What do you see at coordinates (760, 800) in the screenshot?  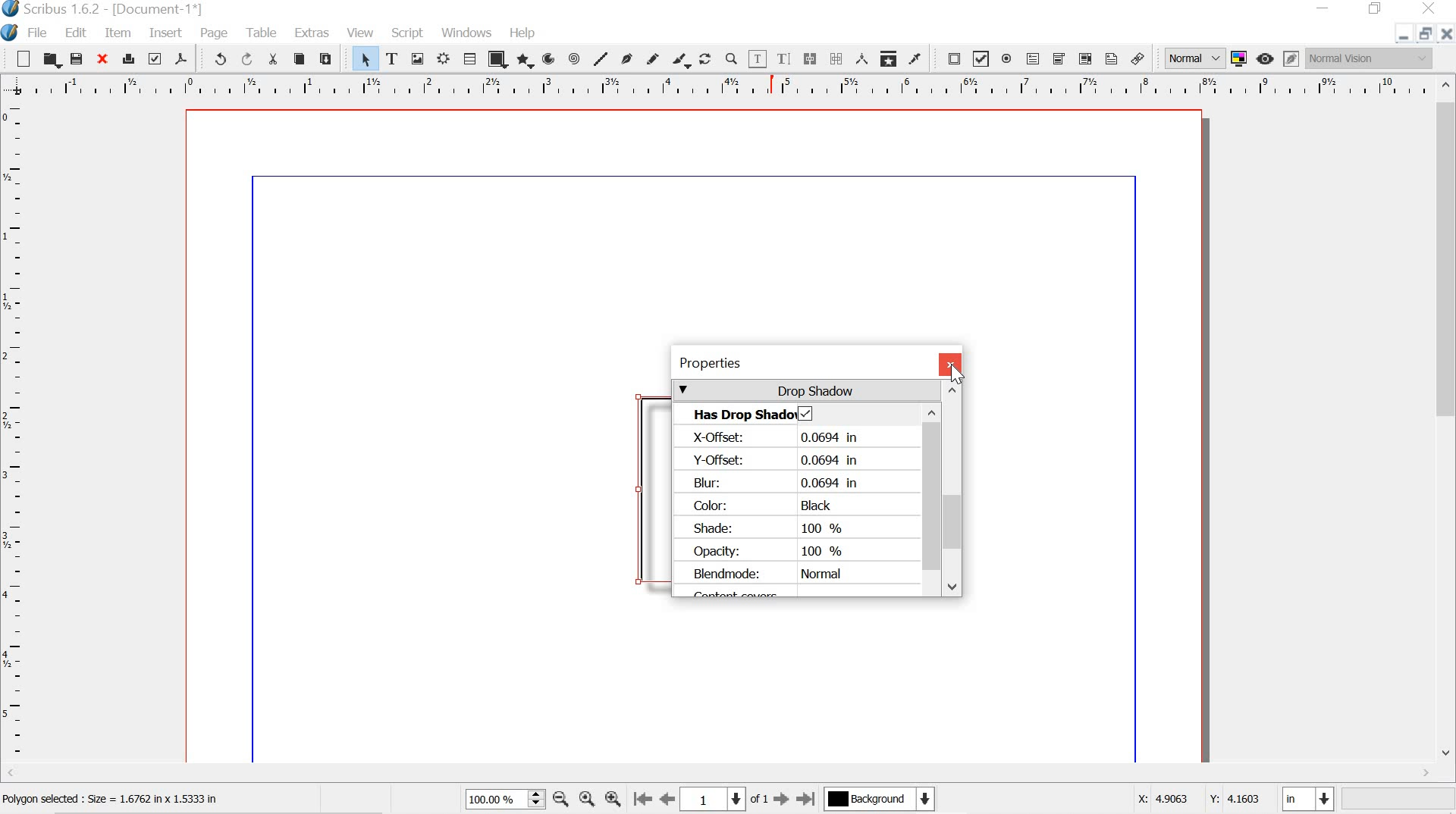 I see `of 1` at bounding box center [760, 800].